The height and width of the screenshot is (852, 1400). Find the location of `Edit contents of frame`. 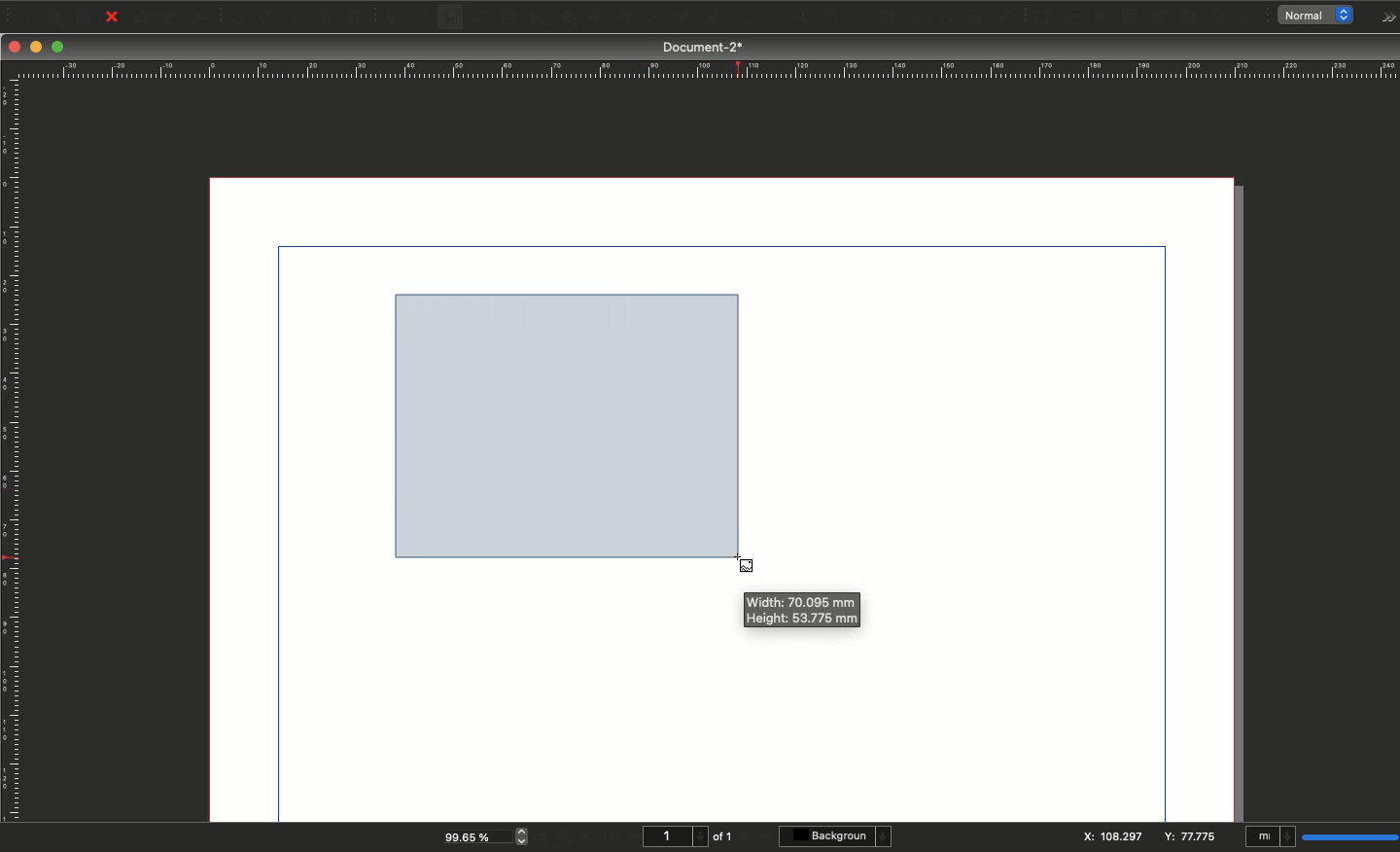

Edit contents of frame is located at coordinates (810, 18).